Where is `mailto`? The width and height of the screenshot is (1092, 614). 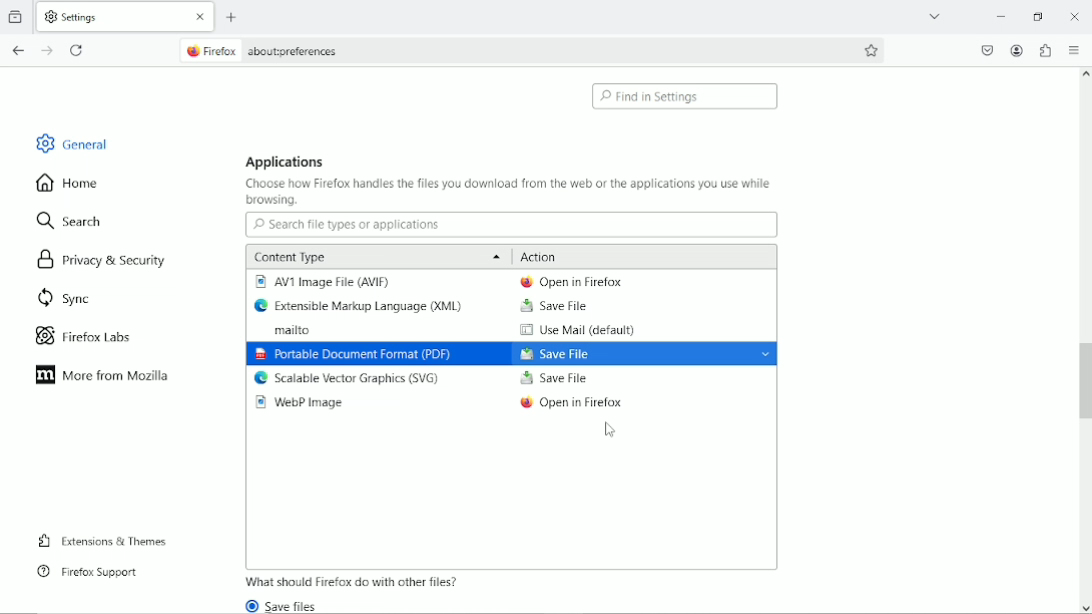
mailto is located at coordinates (285, 331).